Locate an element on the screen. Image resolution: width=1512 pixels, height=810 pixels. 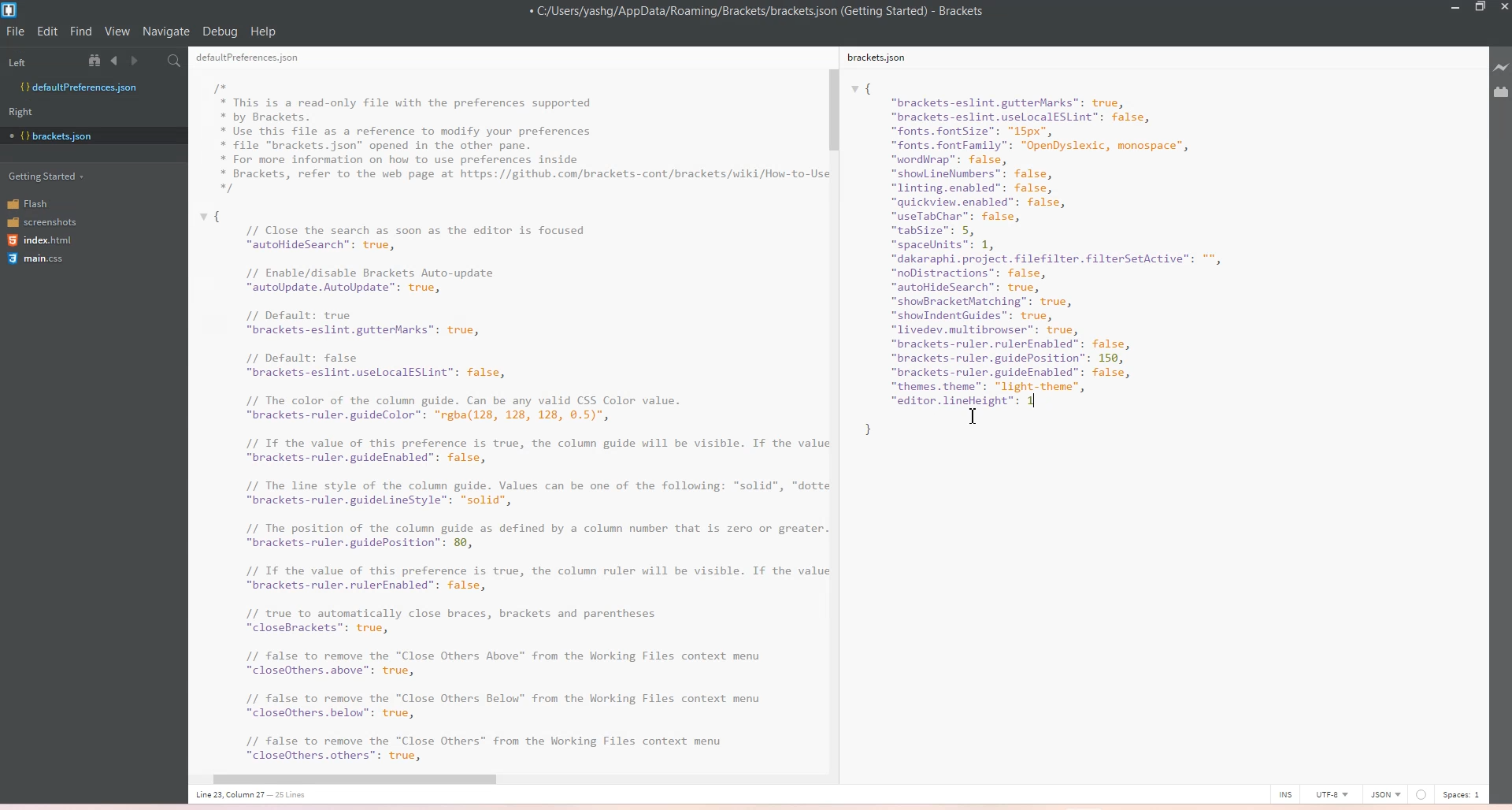
Navigate Backwards is located at coordinates (117, 61).